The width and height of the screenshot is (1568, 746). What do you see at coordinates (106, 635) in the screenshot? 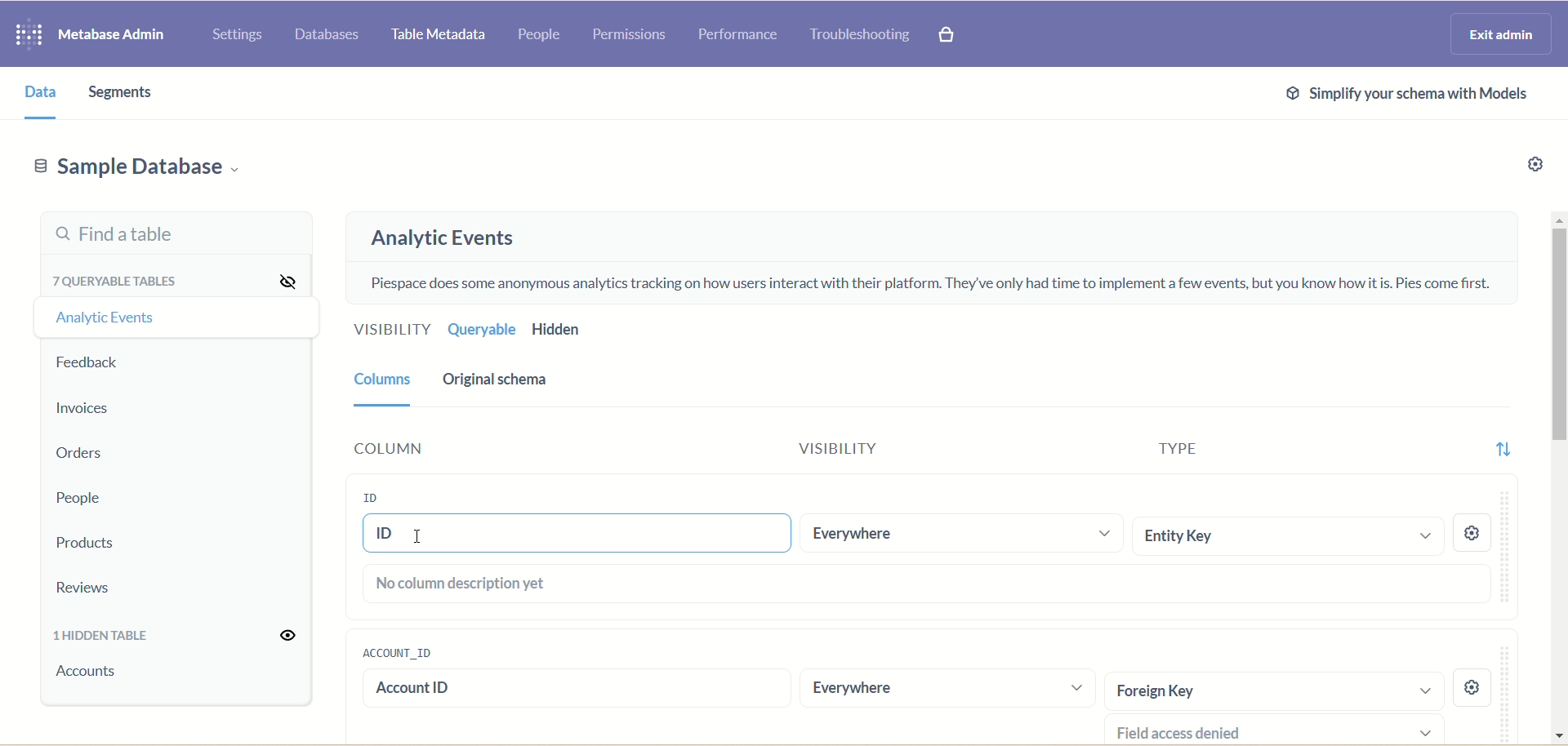
I see `1 hidden table` at bounding box center [106, 635].